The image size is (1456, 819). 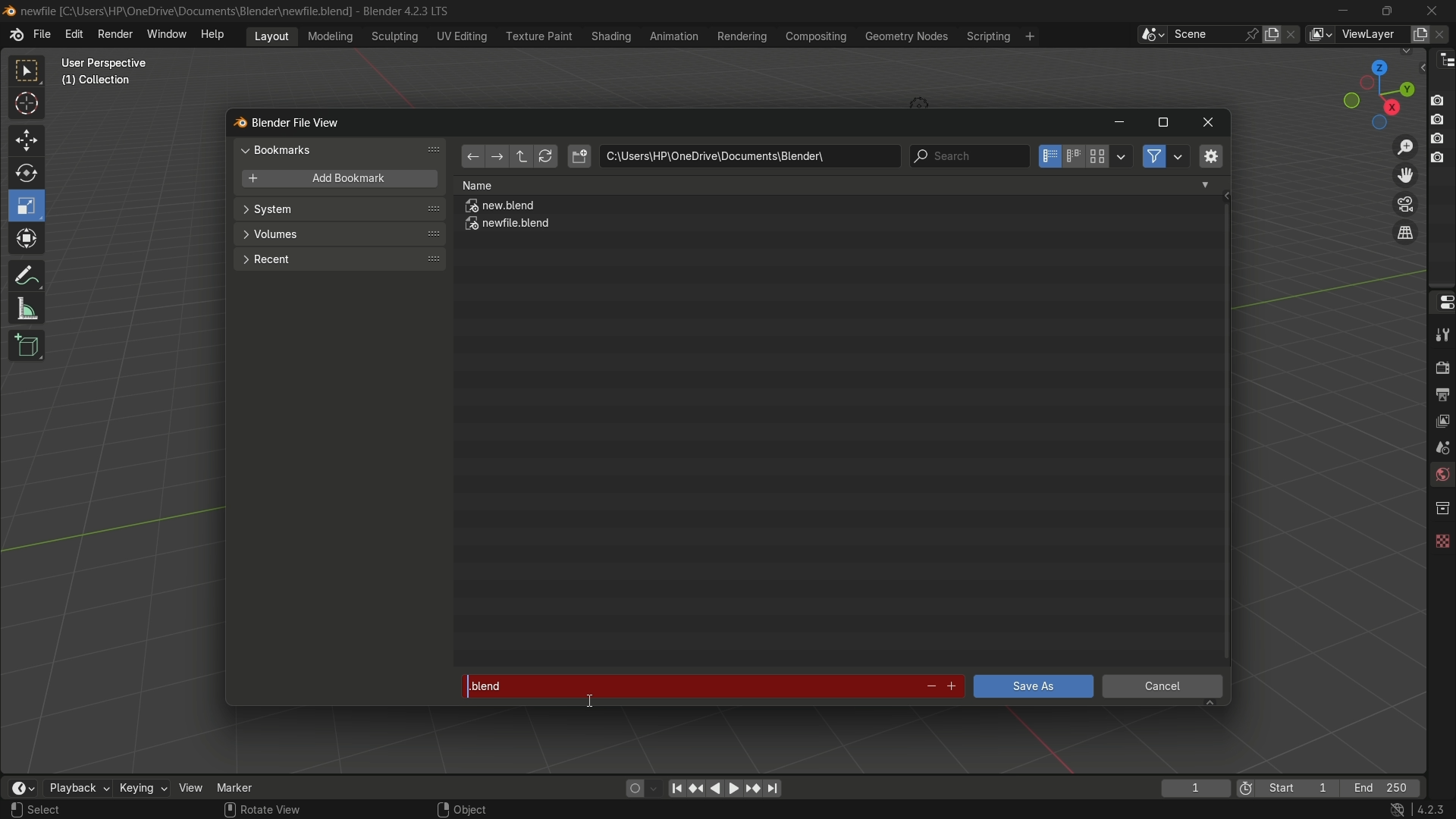 I want to click on view, so click(x=191, y=787).